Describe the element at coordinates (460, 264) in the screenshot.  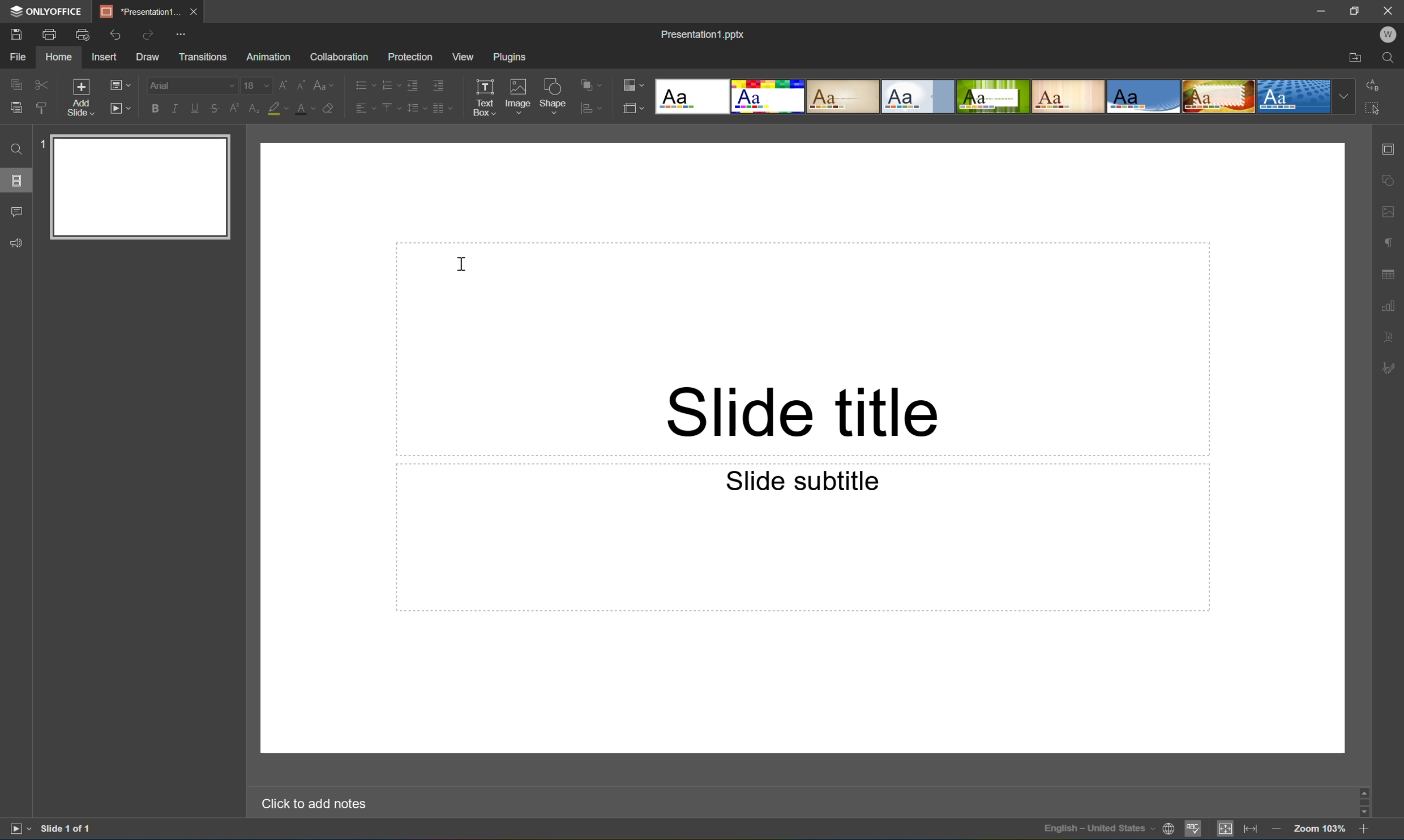
I see `Cursor` at that location.